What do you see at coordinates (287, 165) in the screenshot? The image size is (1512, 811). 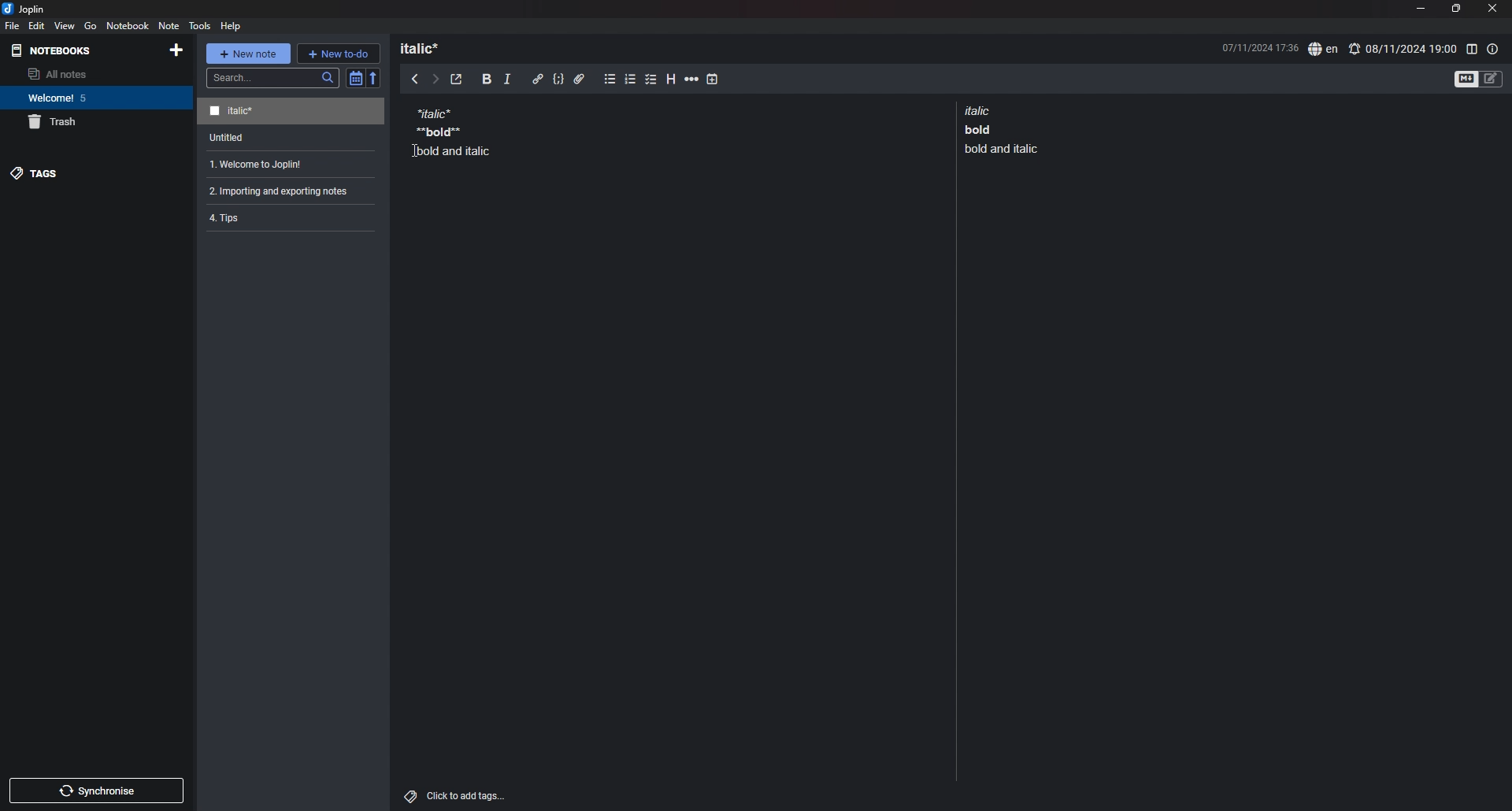 I see `note` at bounding box center [287, 165].